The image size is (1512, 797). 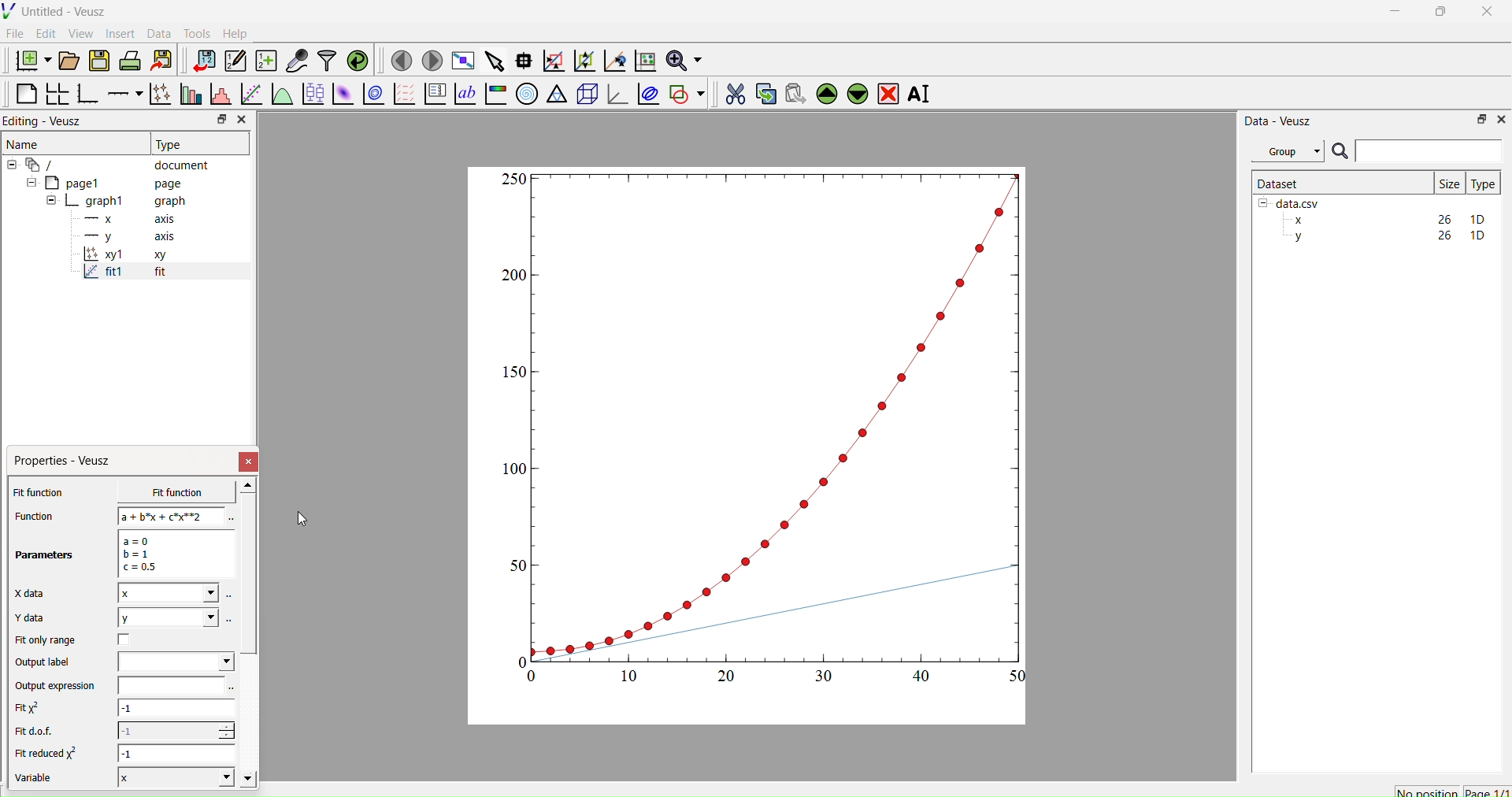 I want to click on Add an axis to plot, so click(x=120, y=92).